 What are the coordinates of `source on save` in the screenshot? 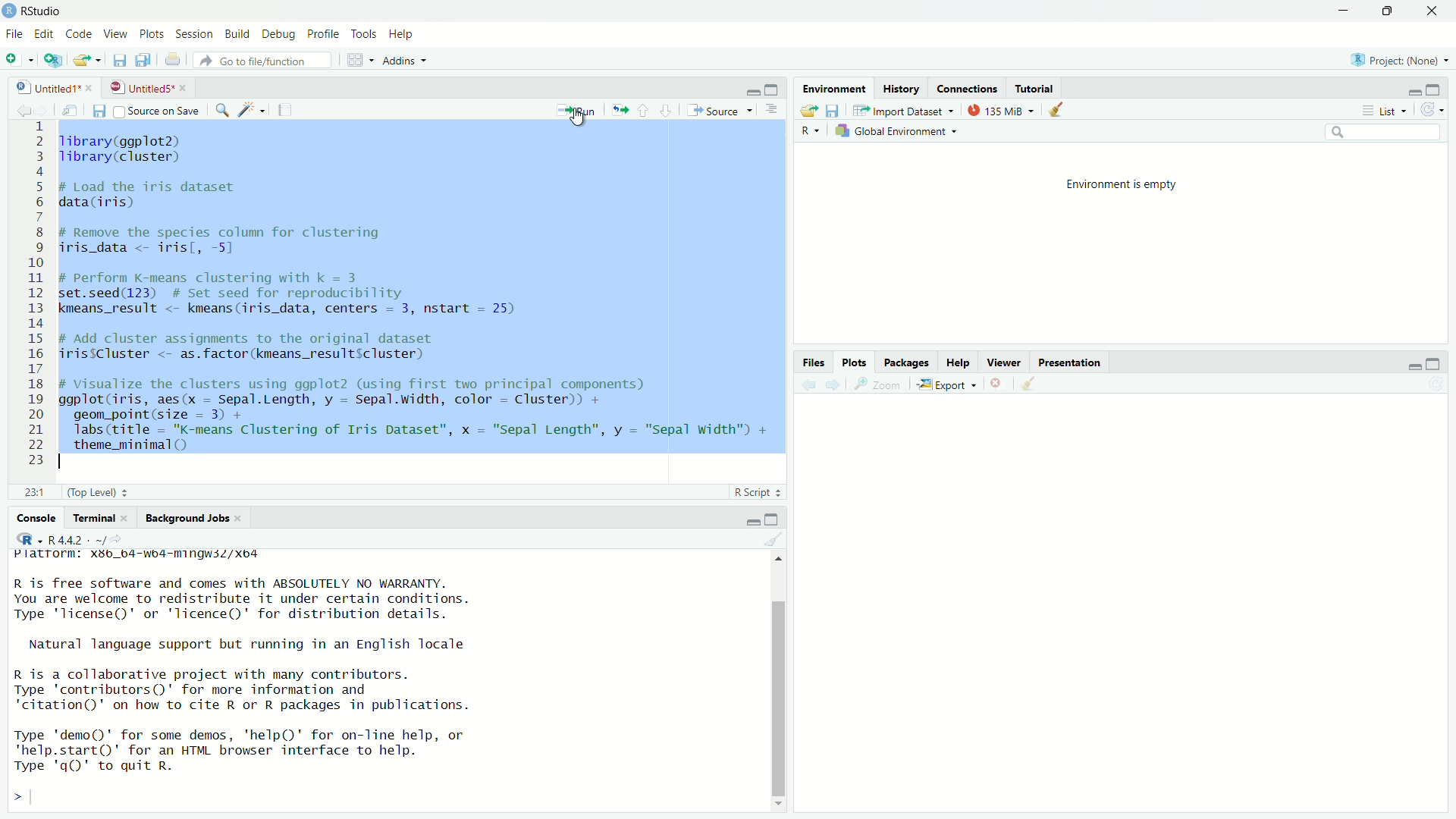 It's located at (158, 110).